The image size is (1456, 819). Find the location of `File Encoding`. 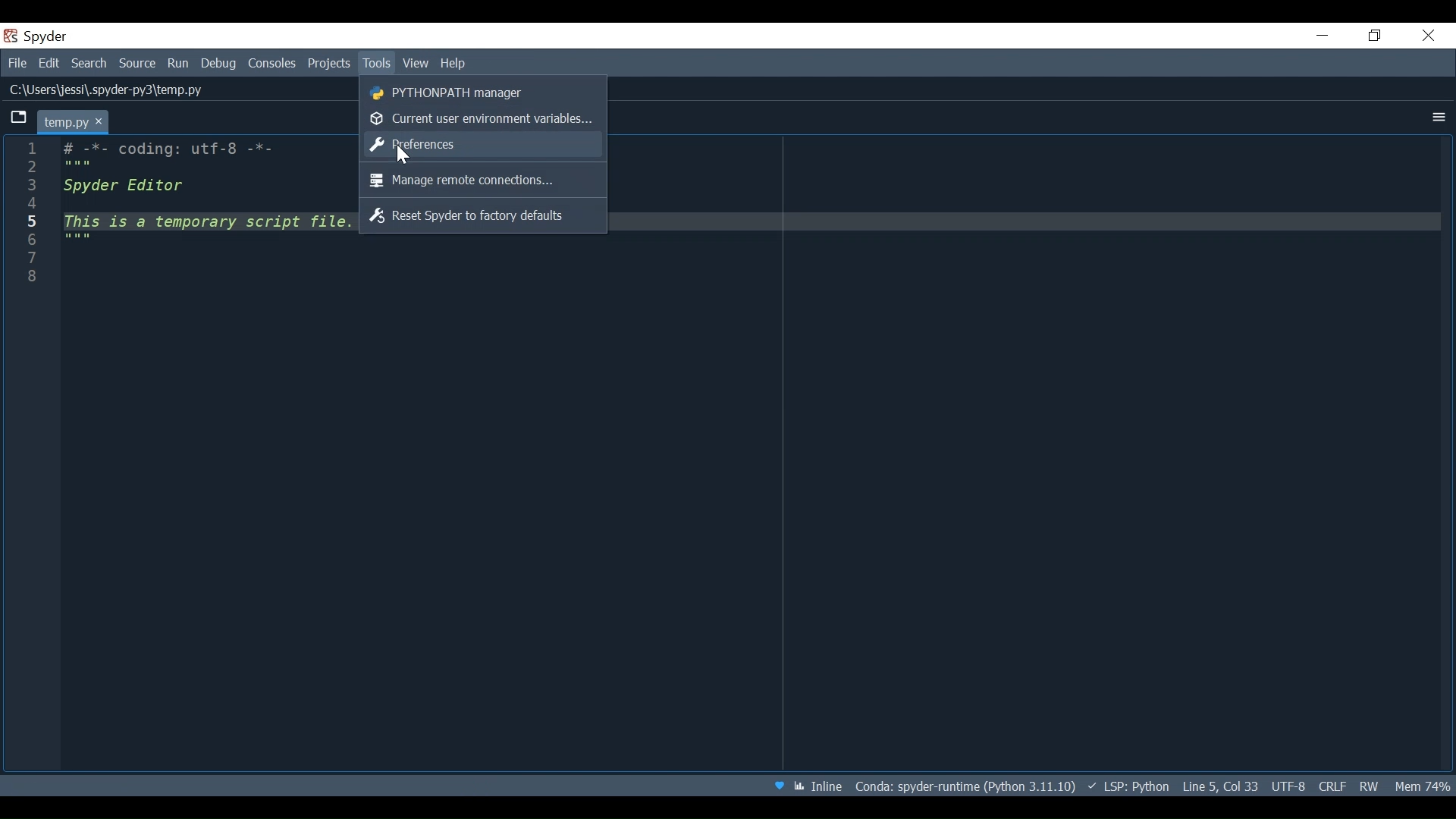

File Encoding is located at coordinates (1291, 785).